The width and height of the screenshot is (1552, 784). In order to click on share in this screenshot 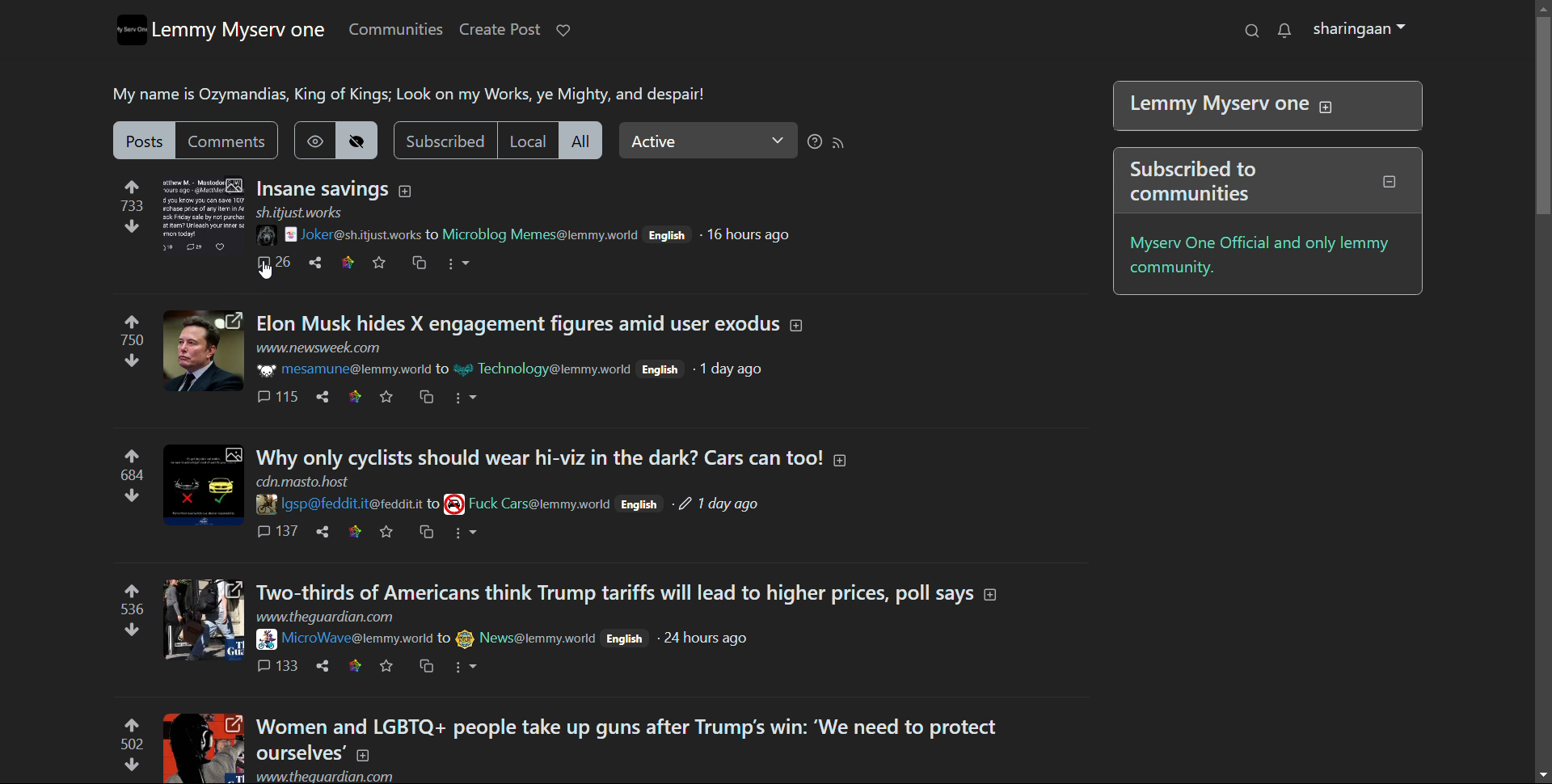, I will do `click(322, 666)`.